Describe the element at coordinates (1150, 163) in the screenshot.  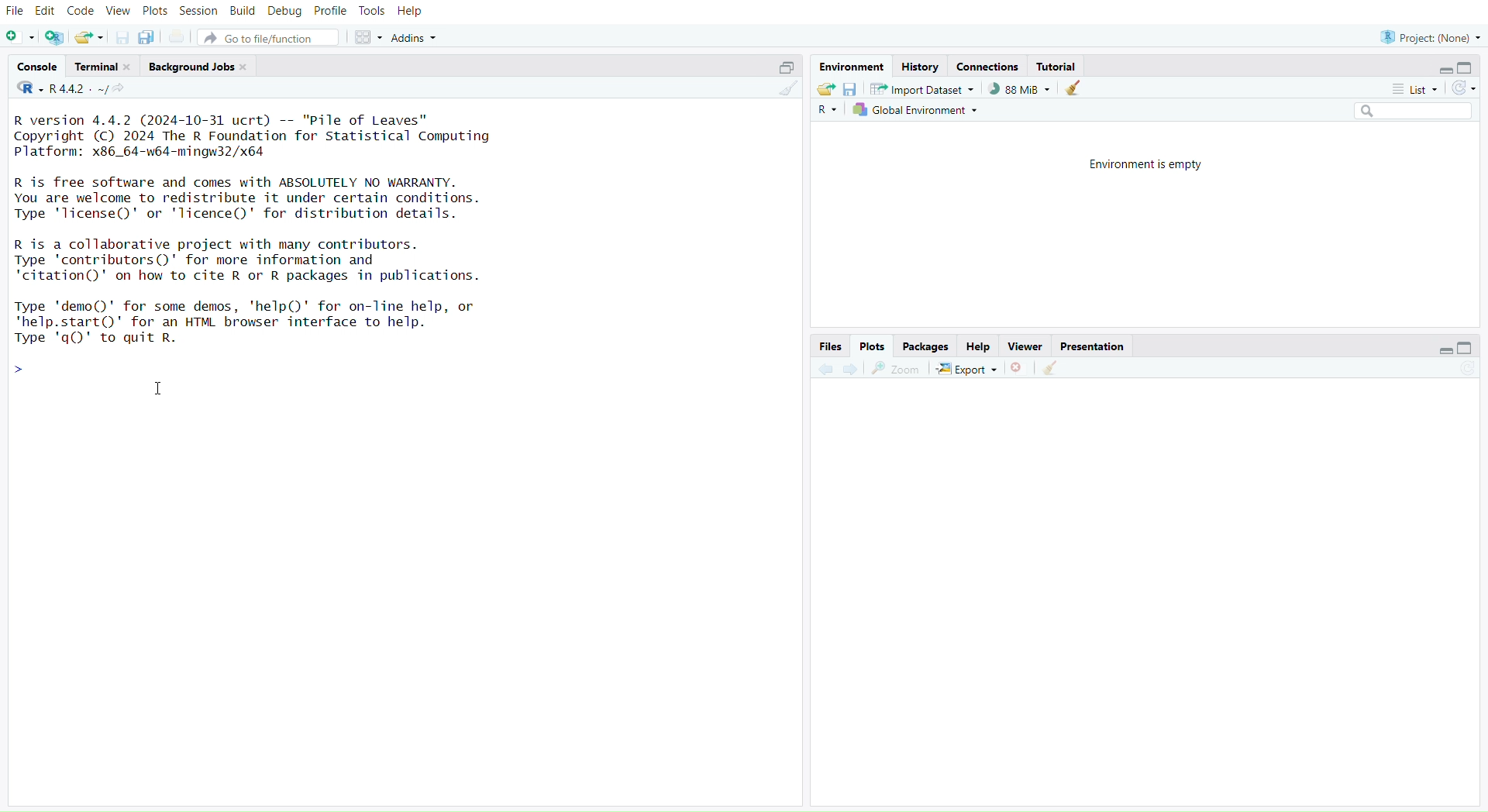
I see `environment is empty` at that location.